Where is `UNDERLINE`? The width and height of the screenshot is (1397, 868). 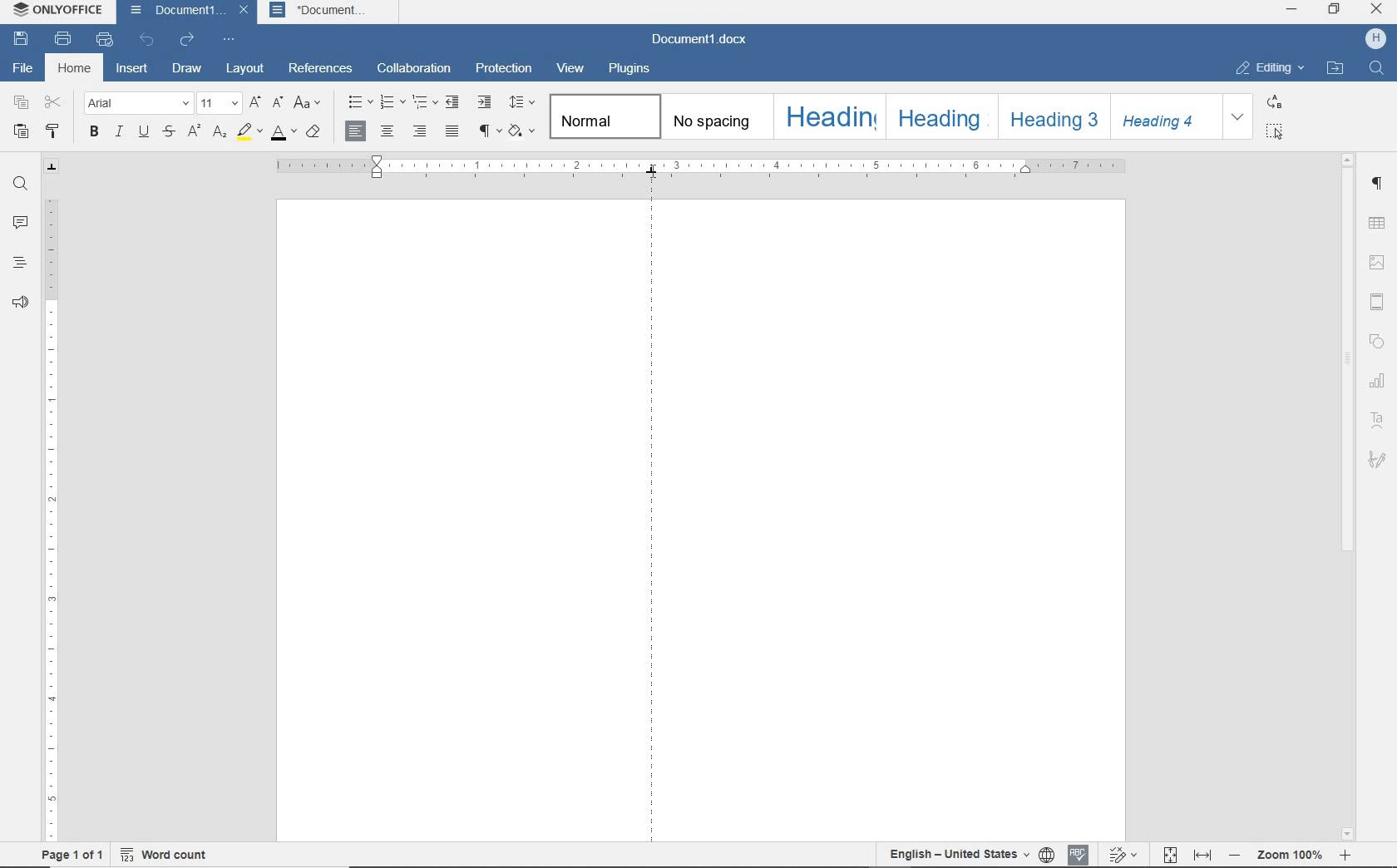
UNDERLINE is located at coordinates (142, 133).